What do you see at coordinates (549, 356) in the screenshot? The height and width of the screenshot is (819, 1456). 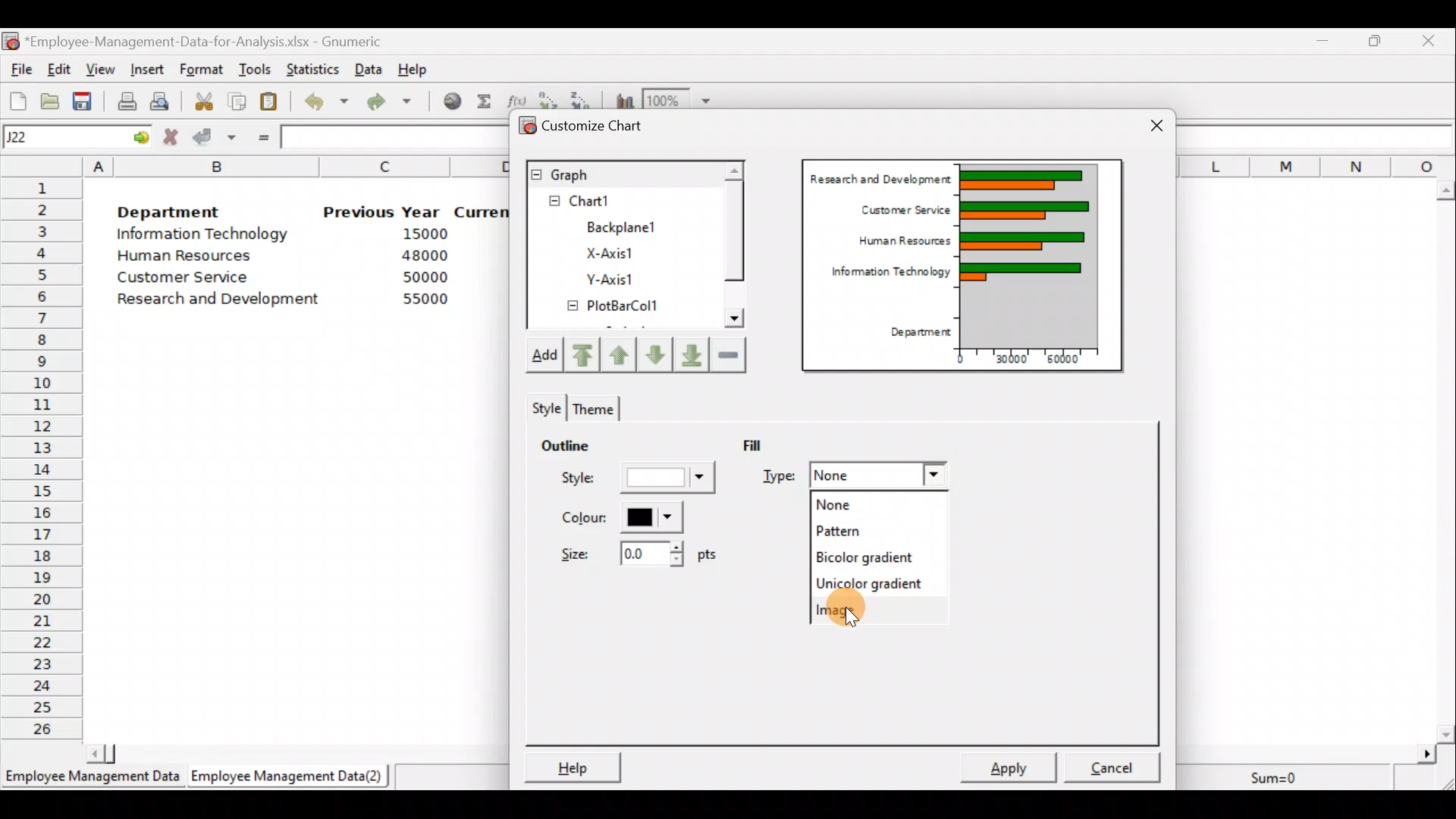 I see `Add` at bounding box center [549, 356].